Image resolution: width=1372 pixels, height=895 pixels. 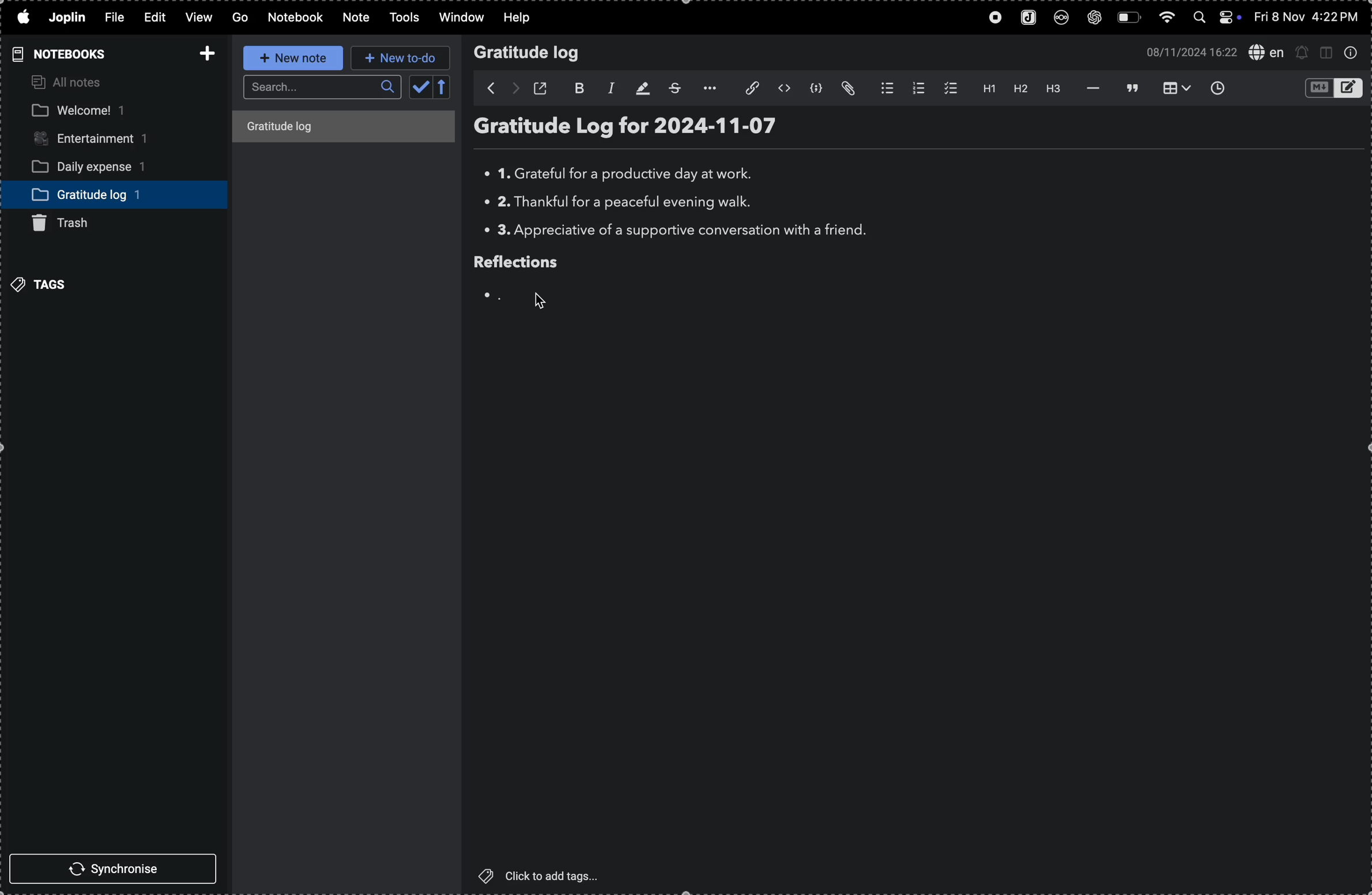 I want to click on horrizontal line, so click(x=1091, y=89).